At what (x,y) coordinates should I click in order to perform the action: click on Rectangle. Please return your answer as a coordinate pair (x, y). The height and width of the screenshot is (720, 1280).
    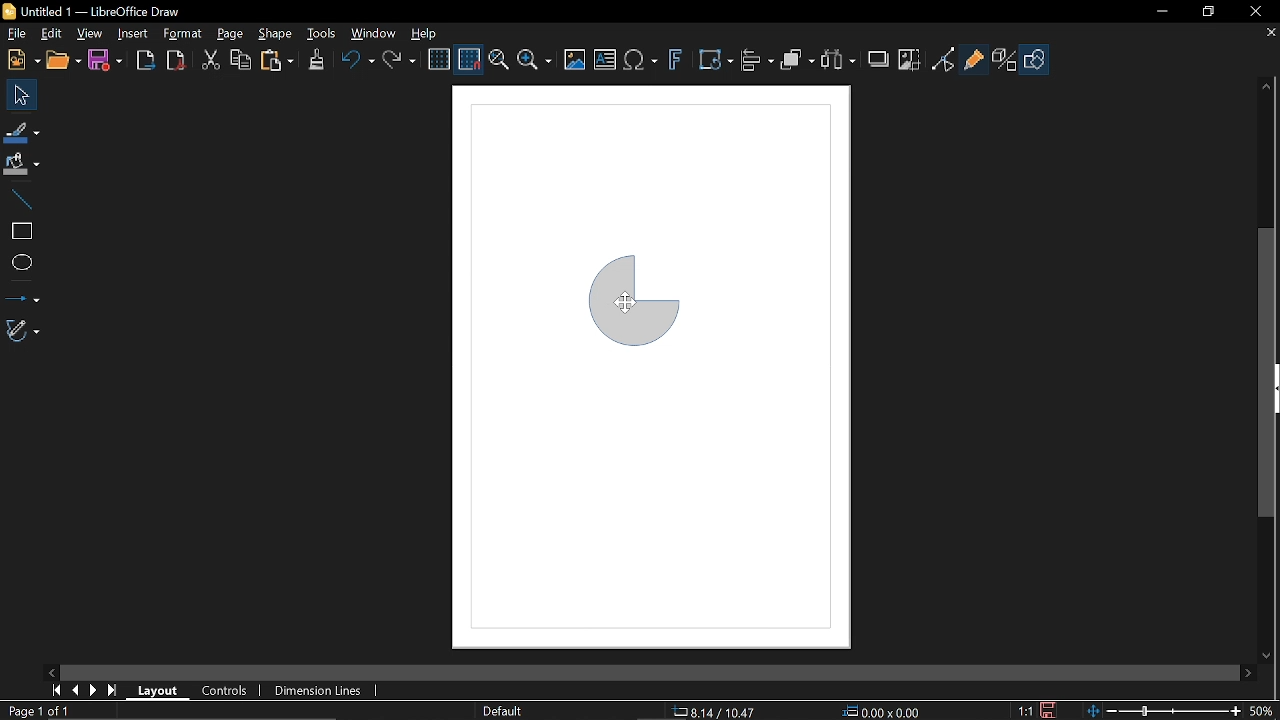
    Looking at the image, I should click on (18, 231).